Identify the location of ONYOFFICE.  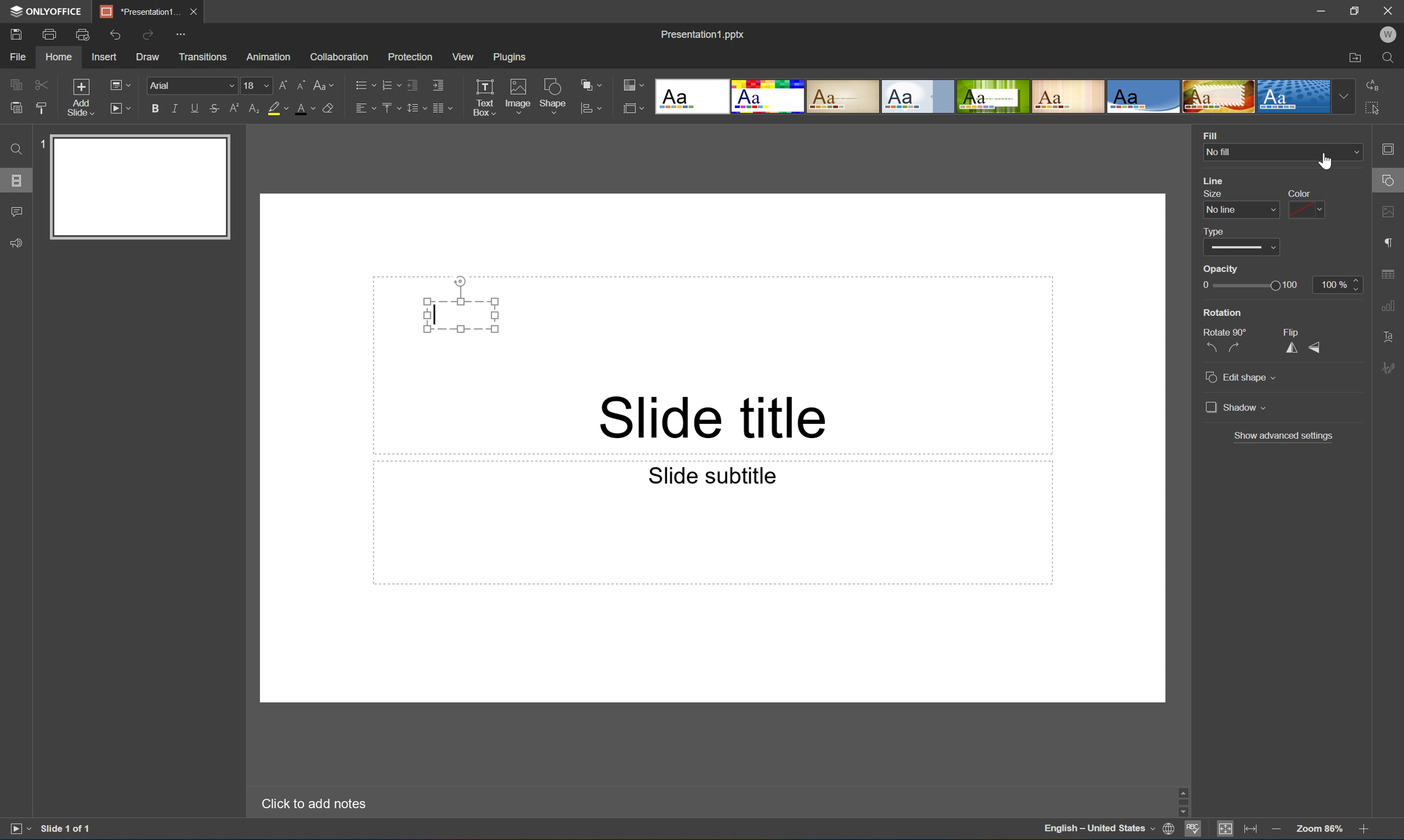
(44, 11).